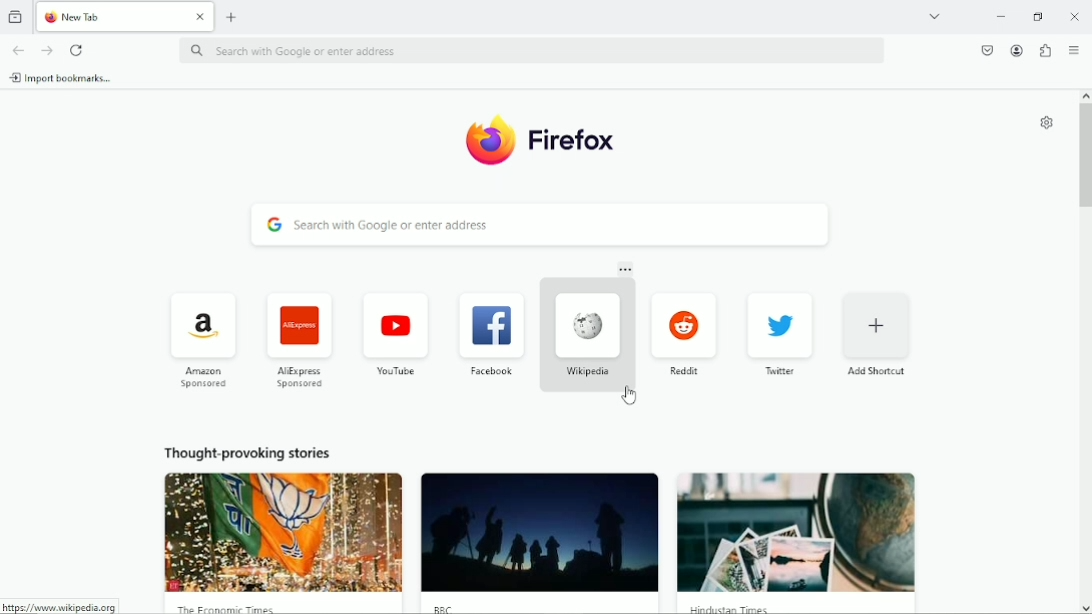 The image size is (1092, 614). I want to click on New tab, so click(234, 16).